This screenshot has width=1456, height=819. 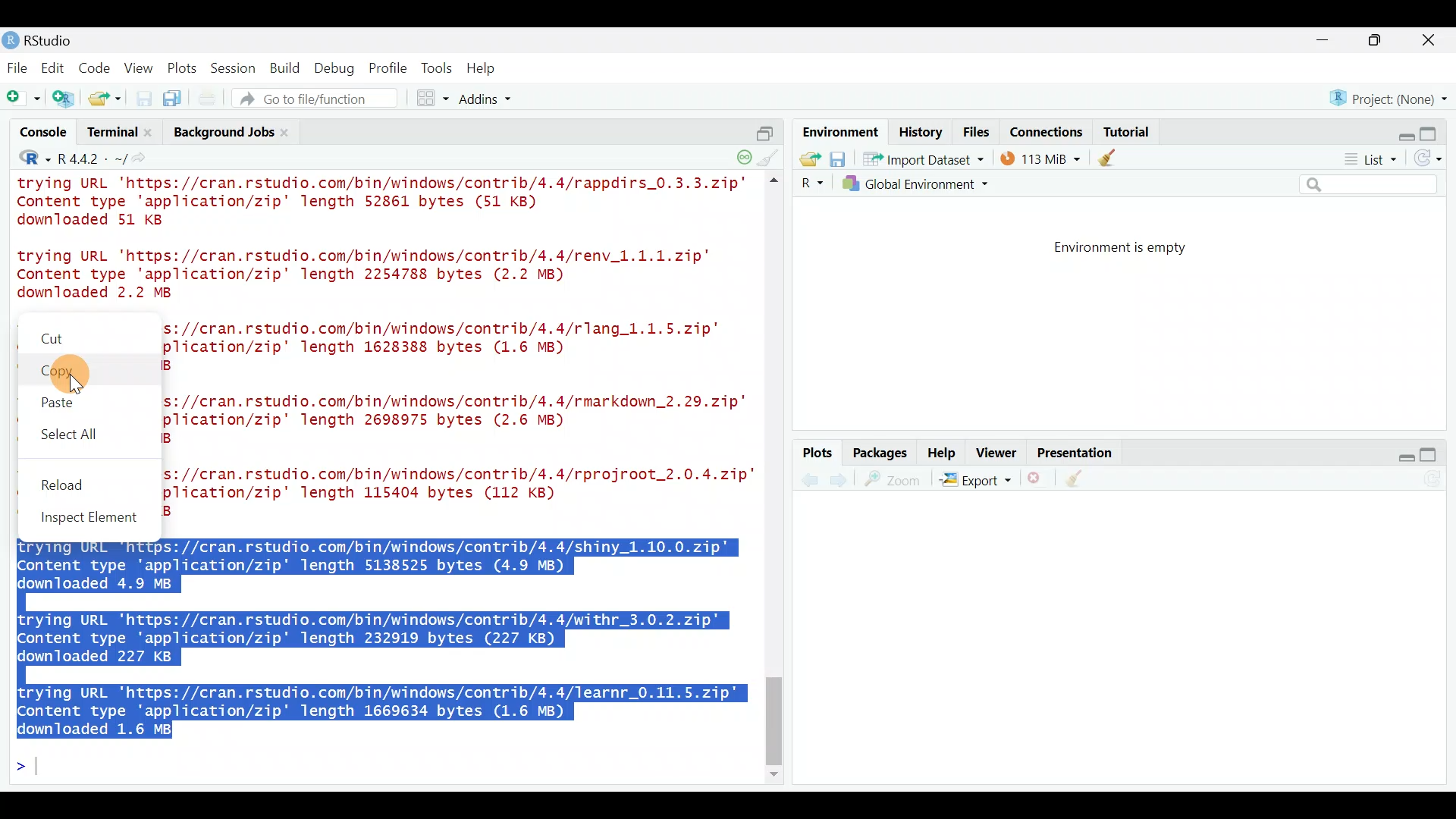 What do you see at coordinates (919, 159) in the screenshot?
I see `* Import Dataset *` at bounding box center [919, 159].